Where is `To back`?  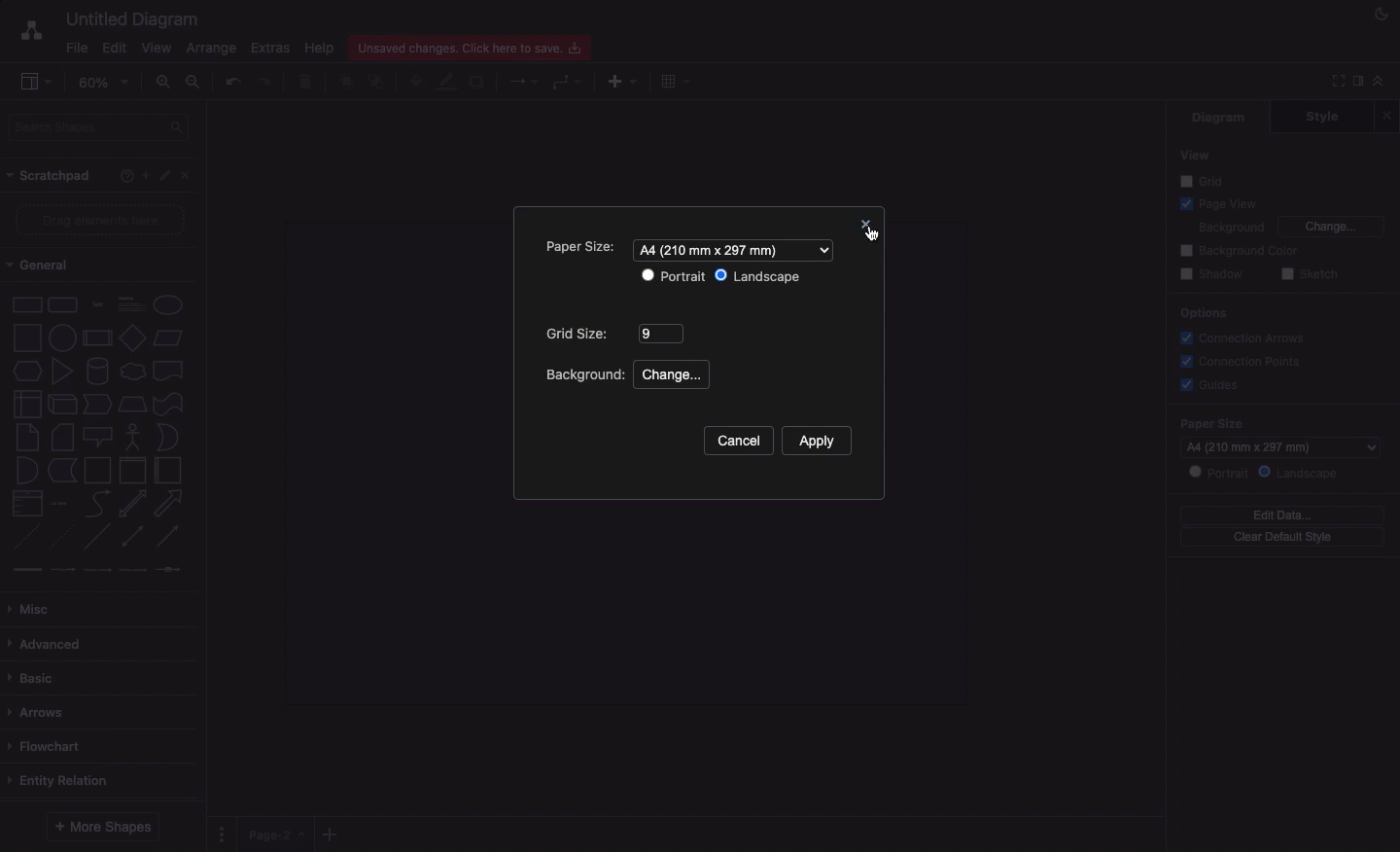 To back is located at coordinates (378, 81).